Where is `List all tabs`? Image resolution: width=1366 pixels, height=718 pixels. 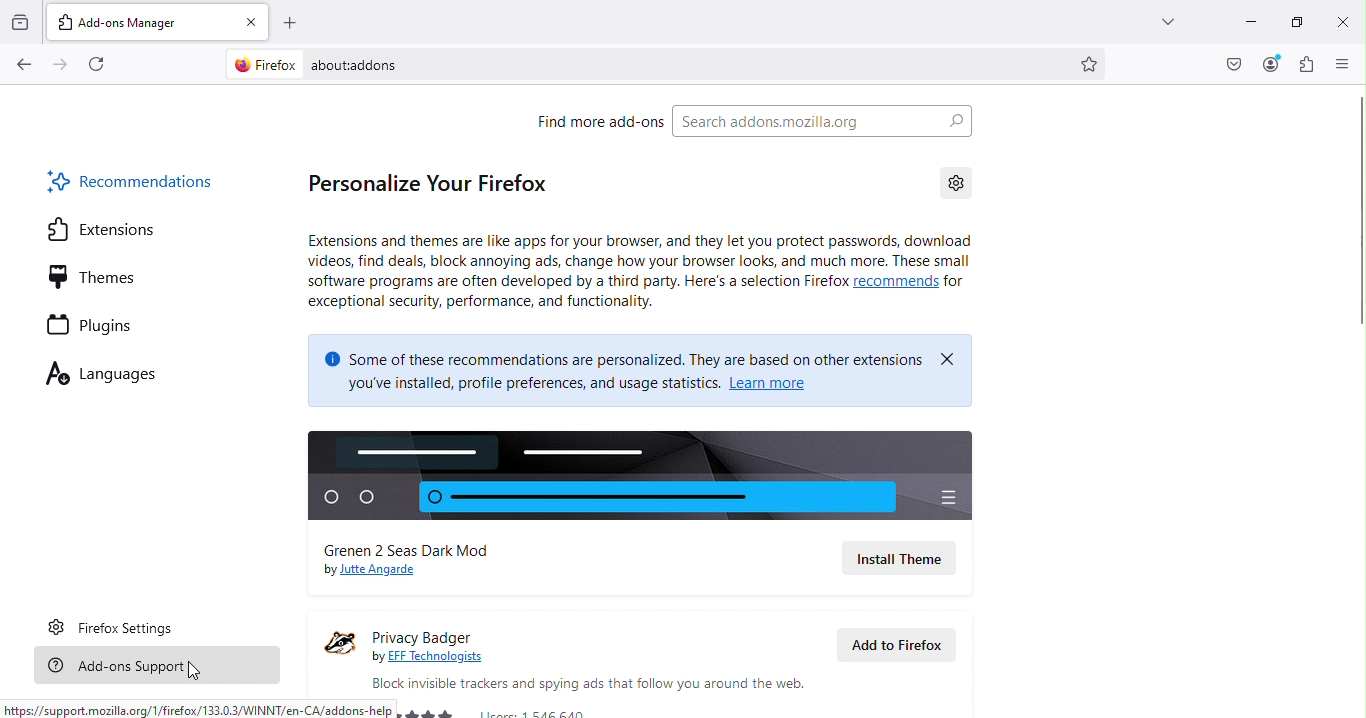 List all tabs is located at coordinates (1168, 19).